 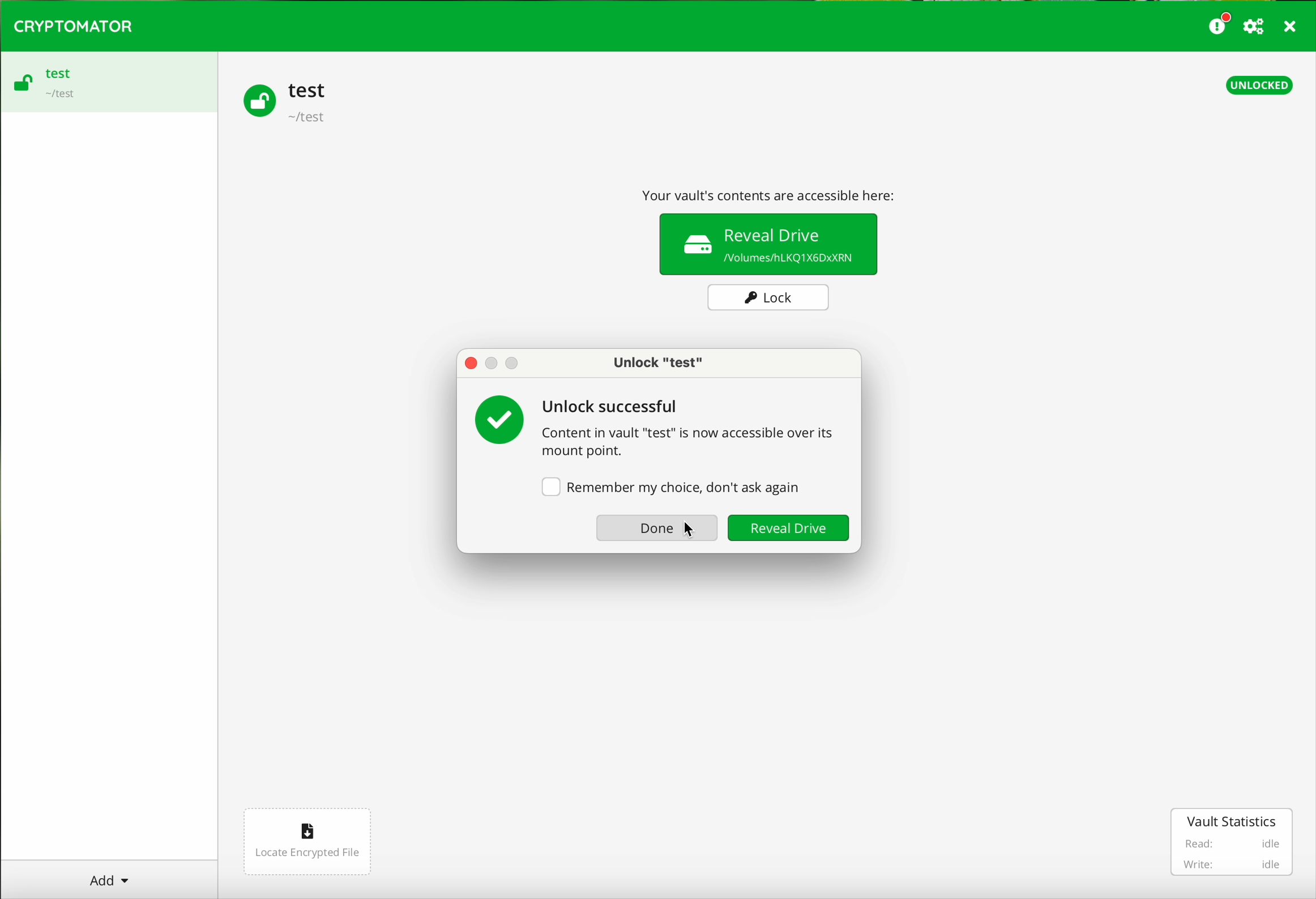 What do you see at coordinates (496, 364) in the screenshot?
I see `control buttons` at bounding box center [496, 364].